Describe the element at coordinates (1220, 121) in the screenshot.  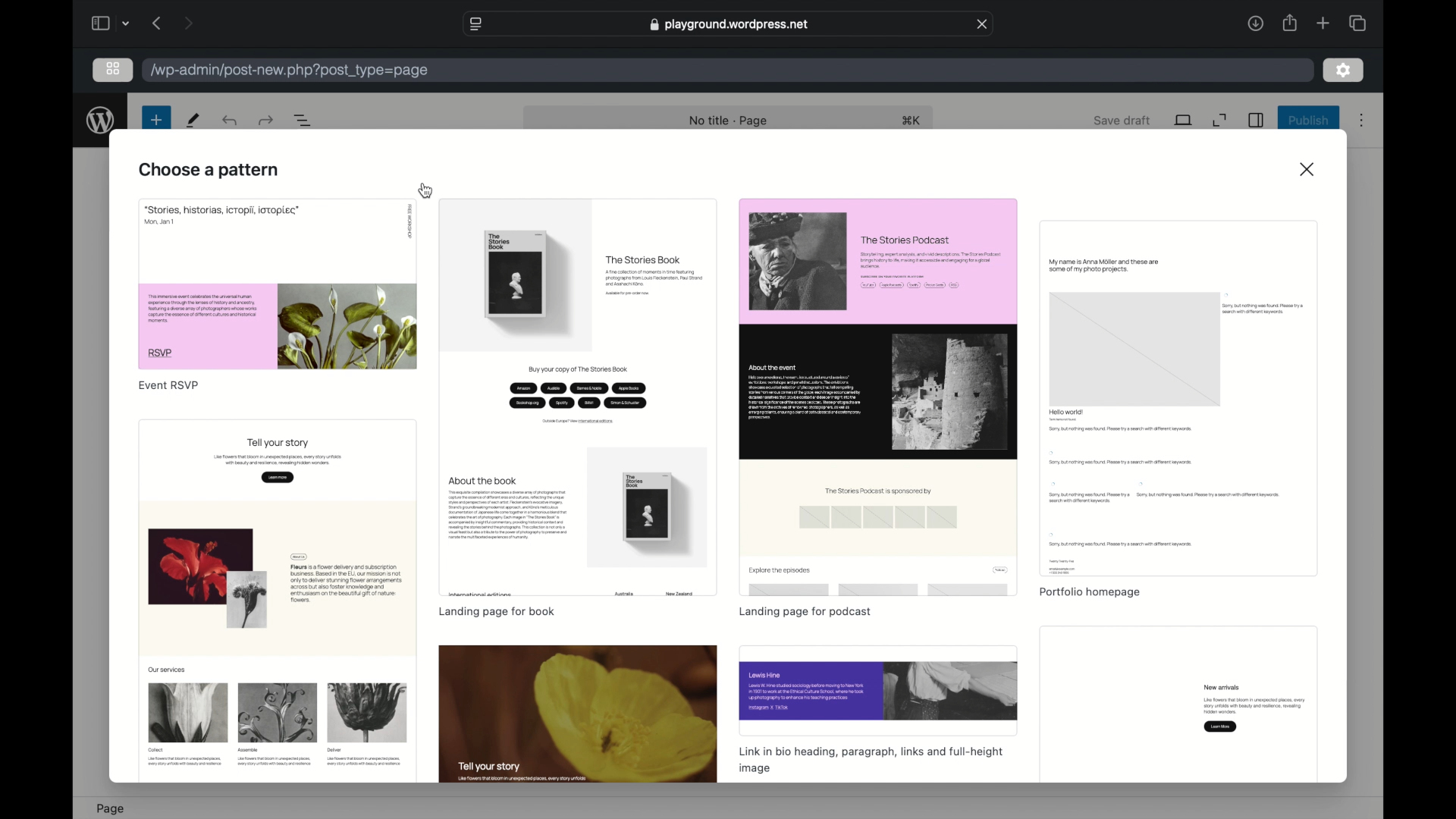
I see `expand` at that location.